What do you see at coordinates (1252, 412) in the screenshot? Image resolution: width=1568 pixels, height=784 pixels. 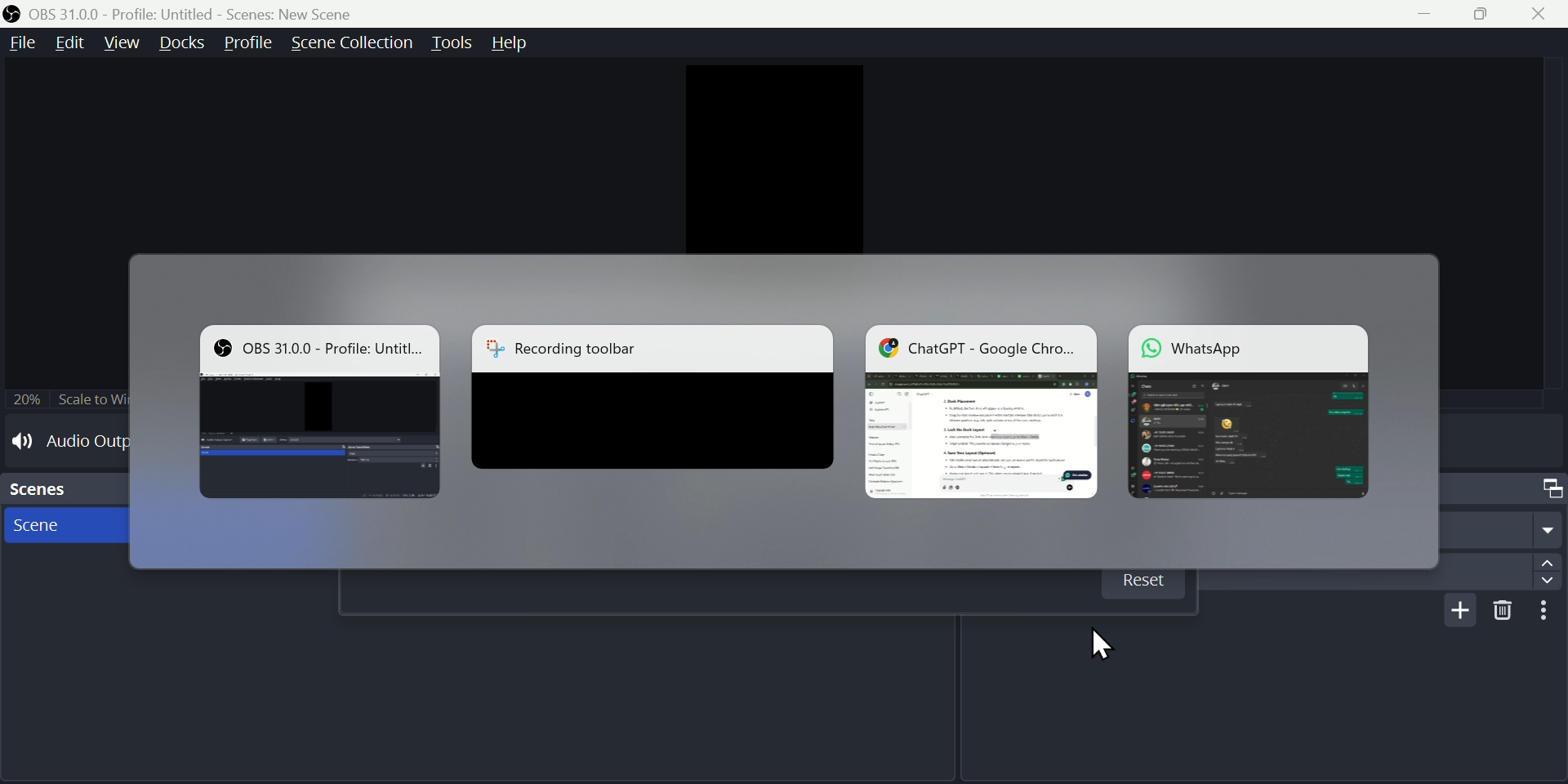 I see `WhatSaoo` at bounding box center [1252, 412].